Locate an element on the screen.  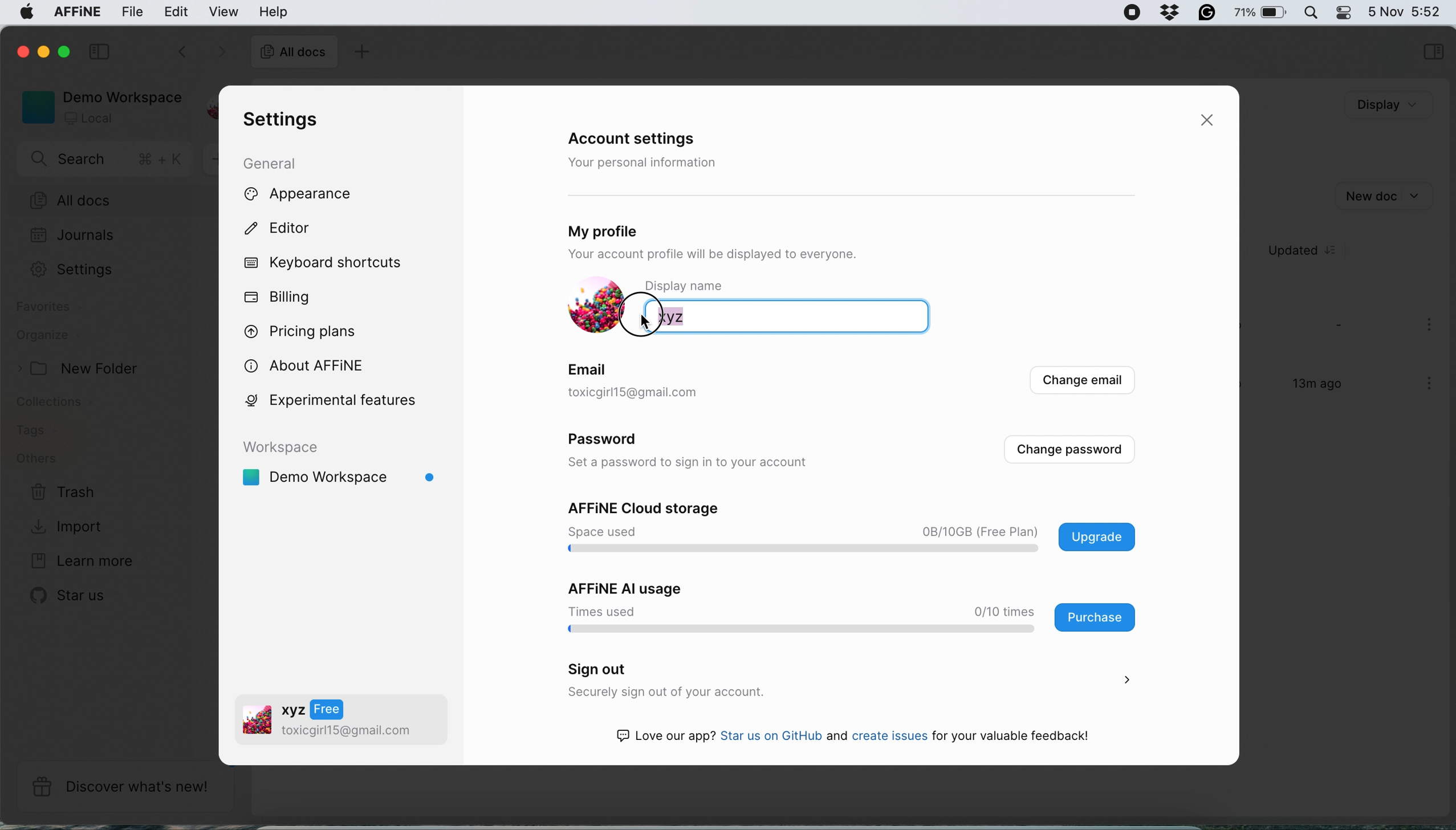
affine is located at coordinates (75, 14).